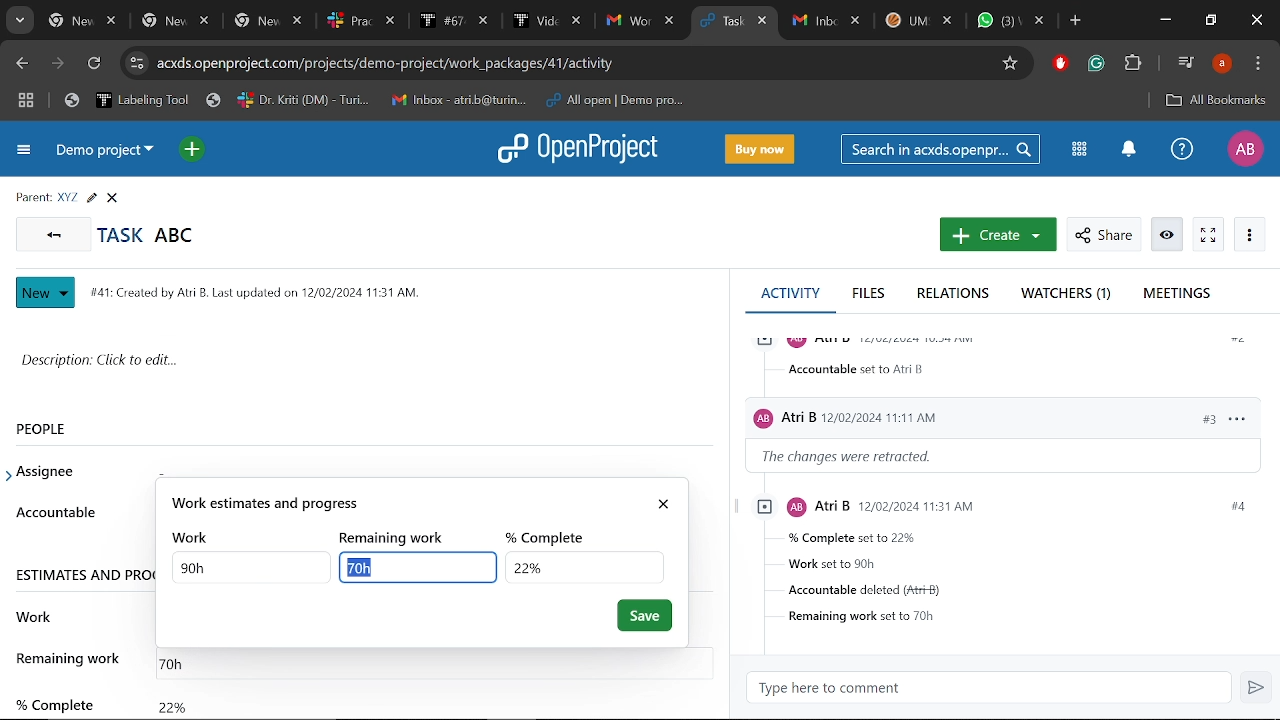  I want to click on Go back to all tasks, so click(54, 235).